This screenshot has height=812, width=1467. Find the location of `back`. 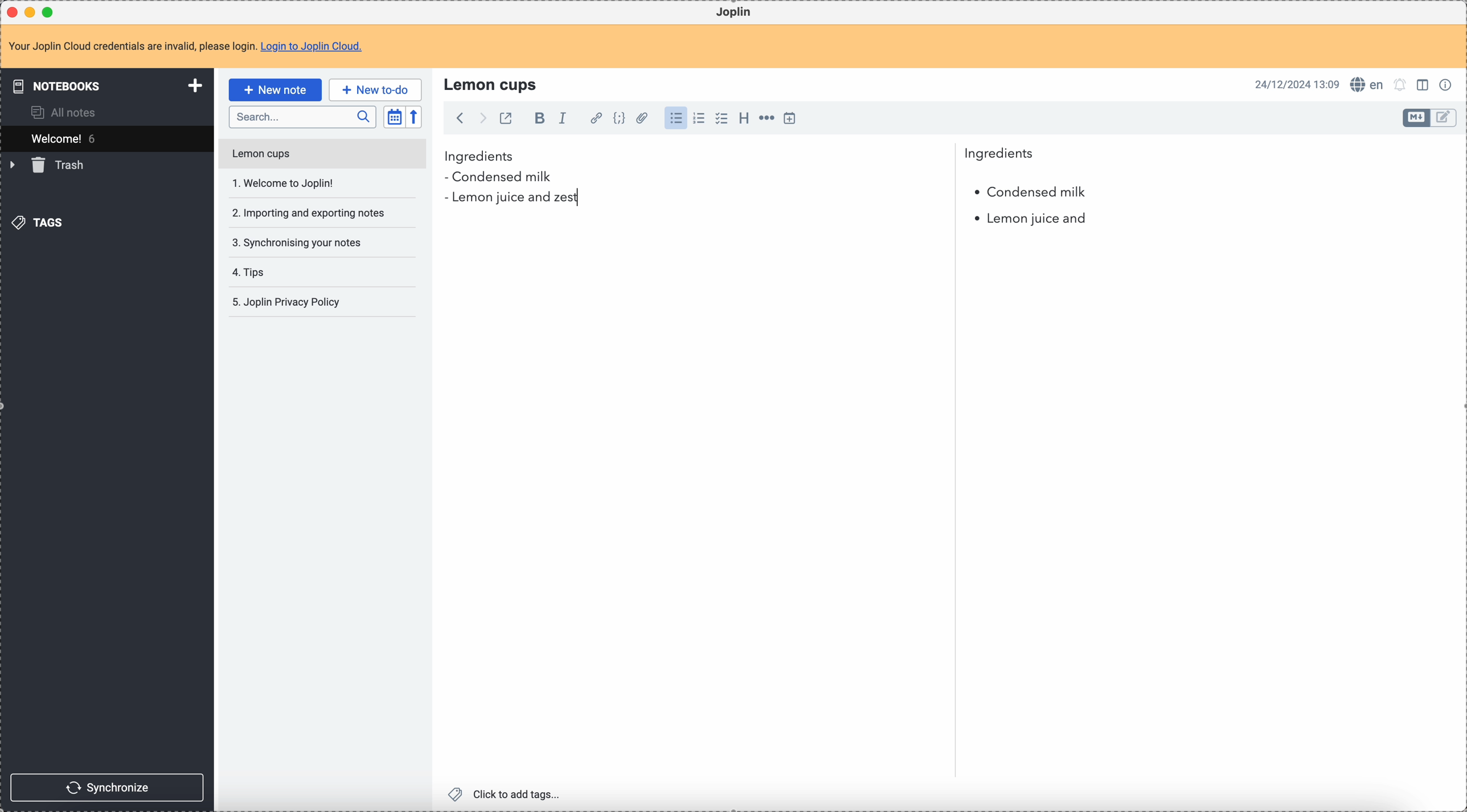

back is located at coordinates (460, 118).